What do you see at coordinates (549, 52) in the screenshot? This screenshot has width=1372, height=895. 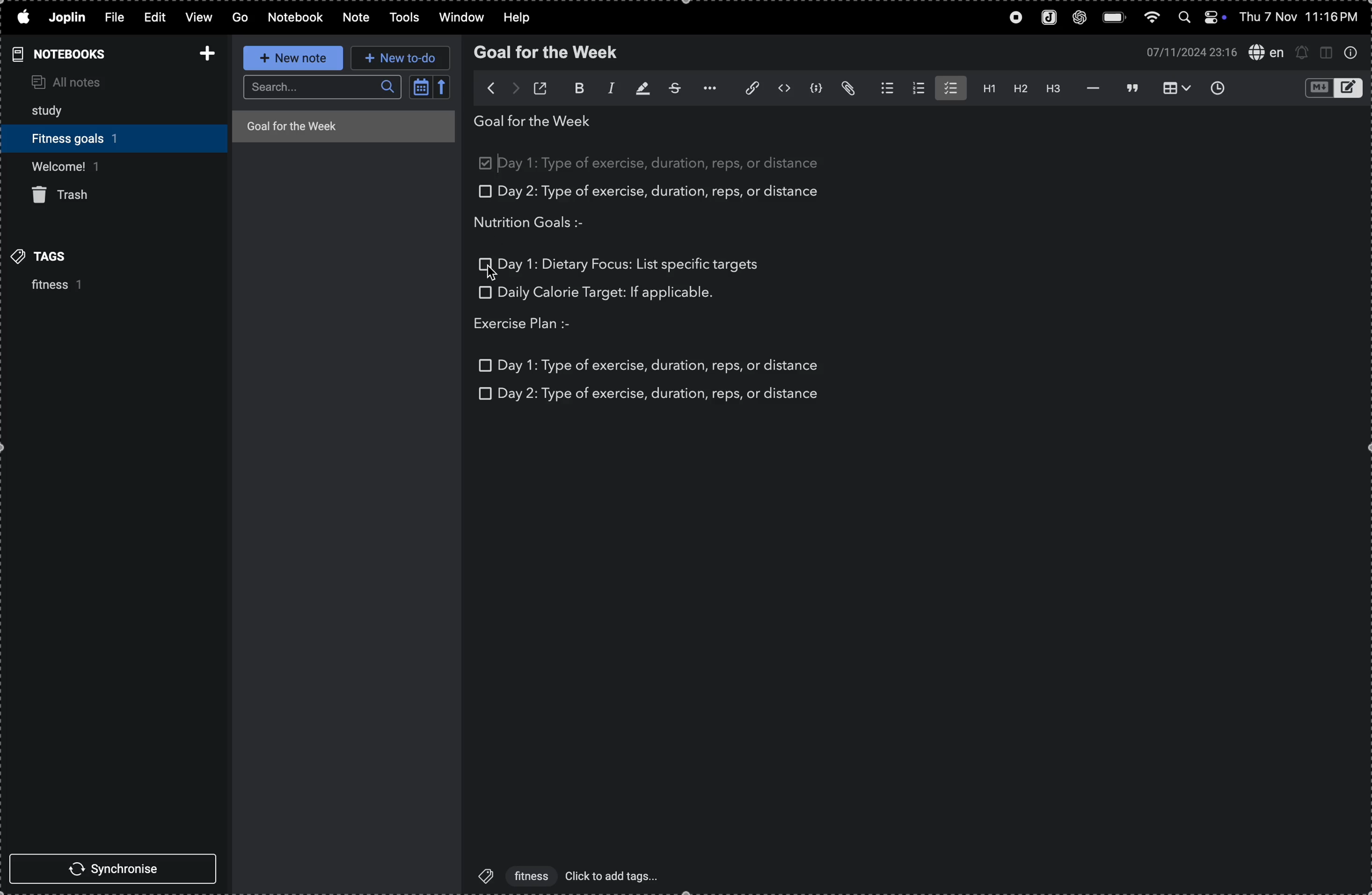 I see `goal for the week` at bounding box center [549, 52].